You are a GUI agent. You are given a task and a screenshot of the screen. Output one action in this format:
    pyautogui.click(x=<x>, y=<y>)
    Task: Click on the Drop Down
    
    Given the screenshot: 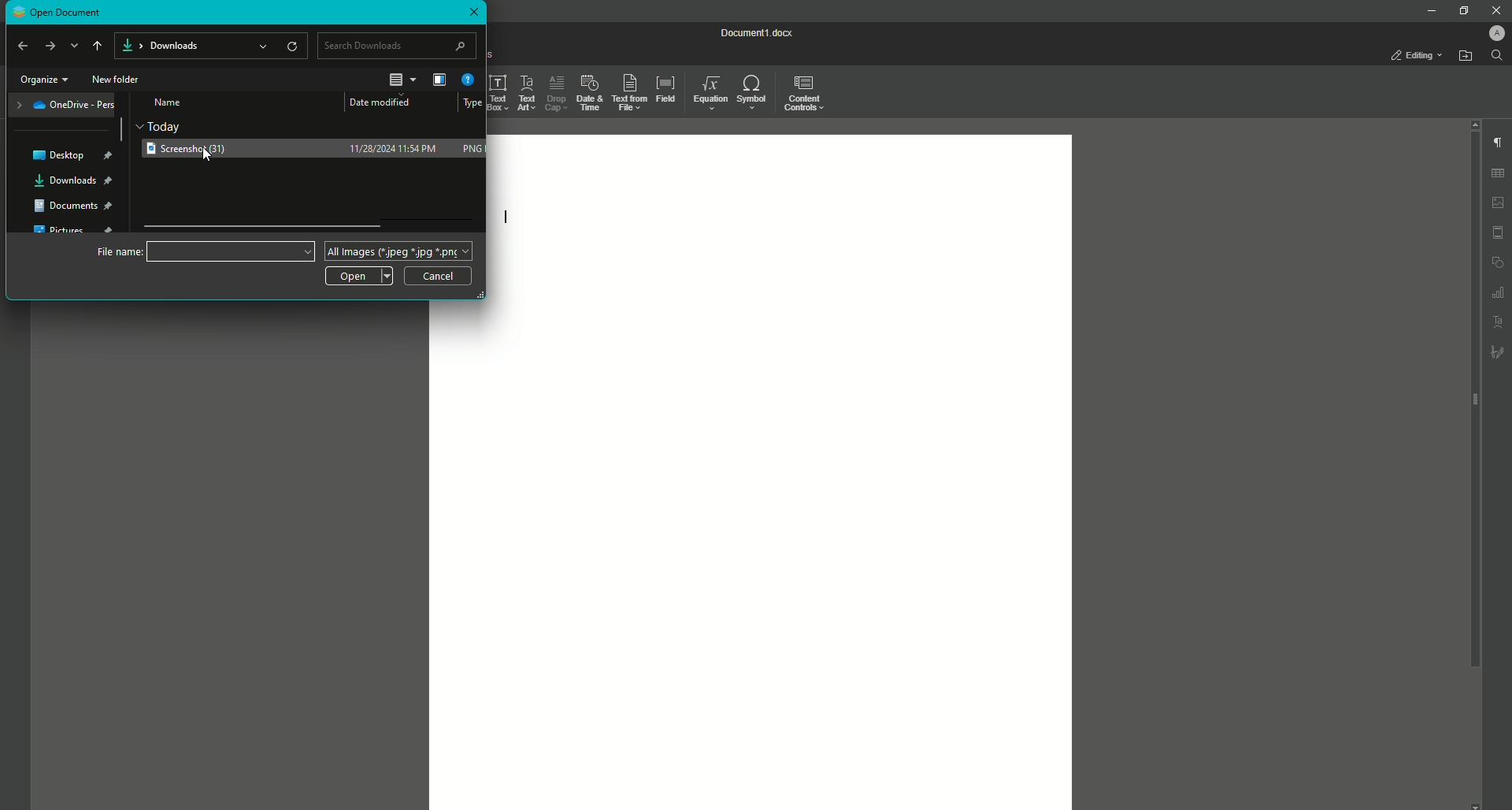 What is the action you would take?
    pyautogui.click(x=75, y=46)
    